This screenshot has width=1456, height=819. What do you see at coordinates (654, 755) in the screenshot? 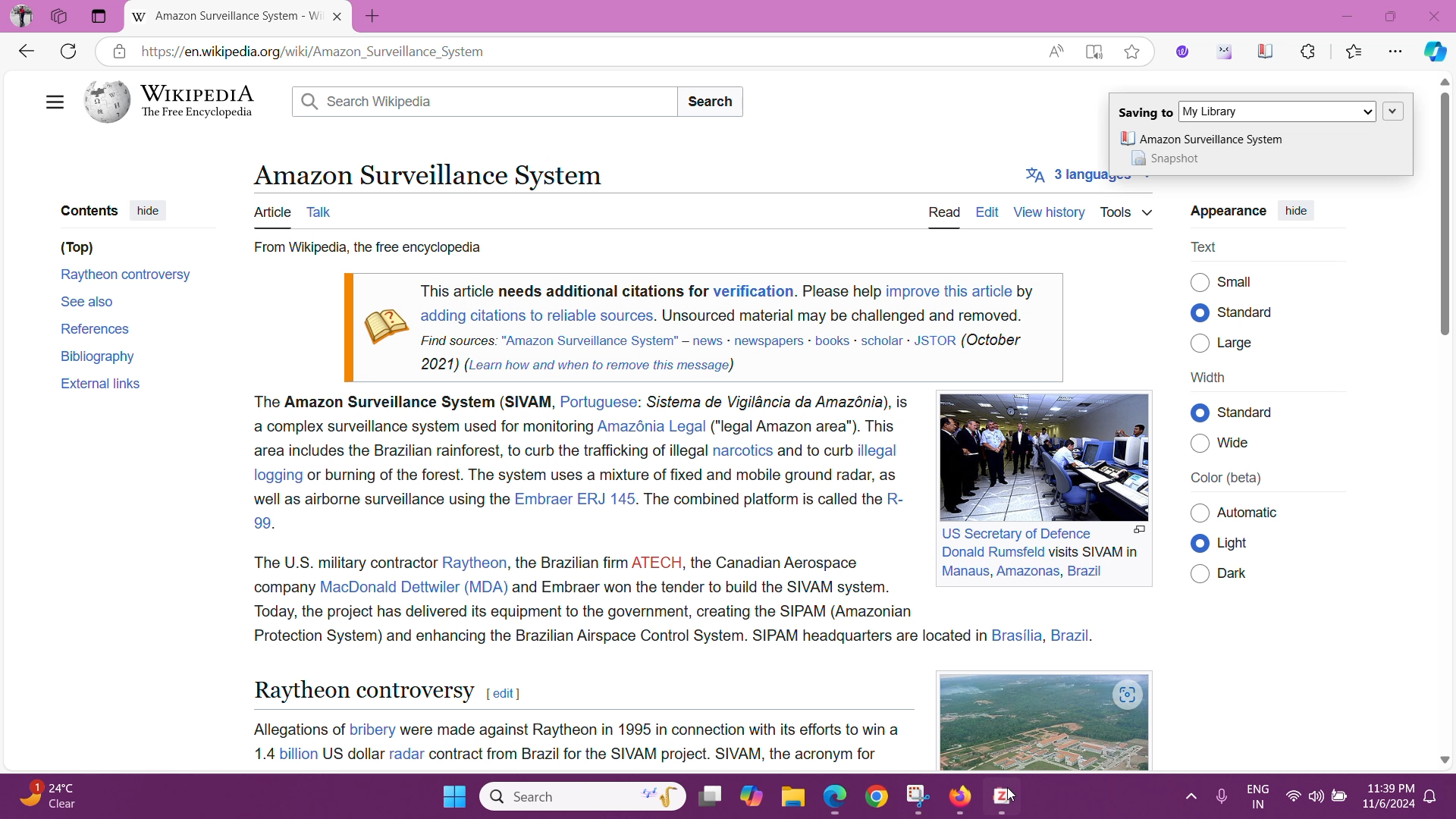
I see `contract from Brazil for the SIVAM project. SIVAM, the acronym for` at bounding box center [654, 755].